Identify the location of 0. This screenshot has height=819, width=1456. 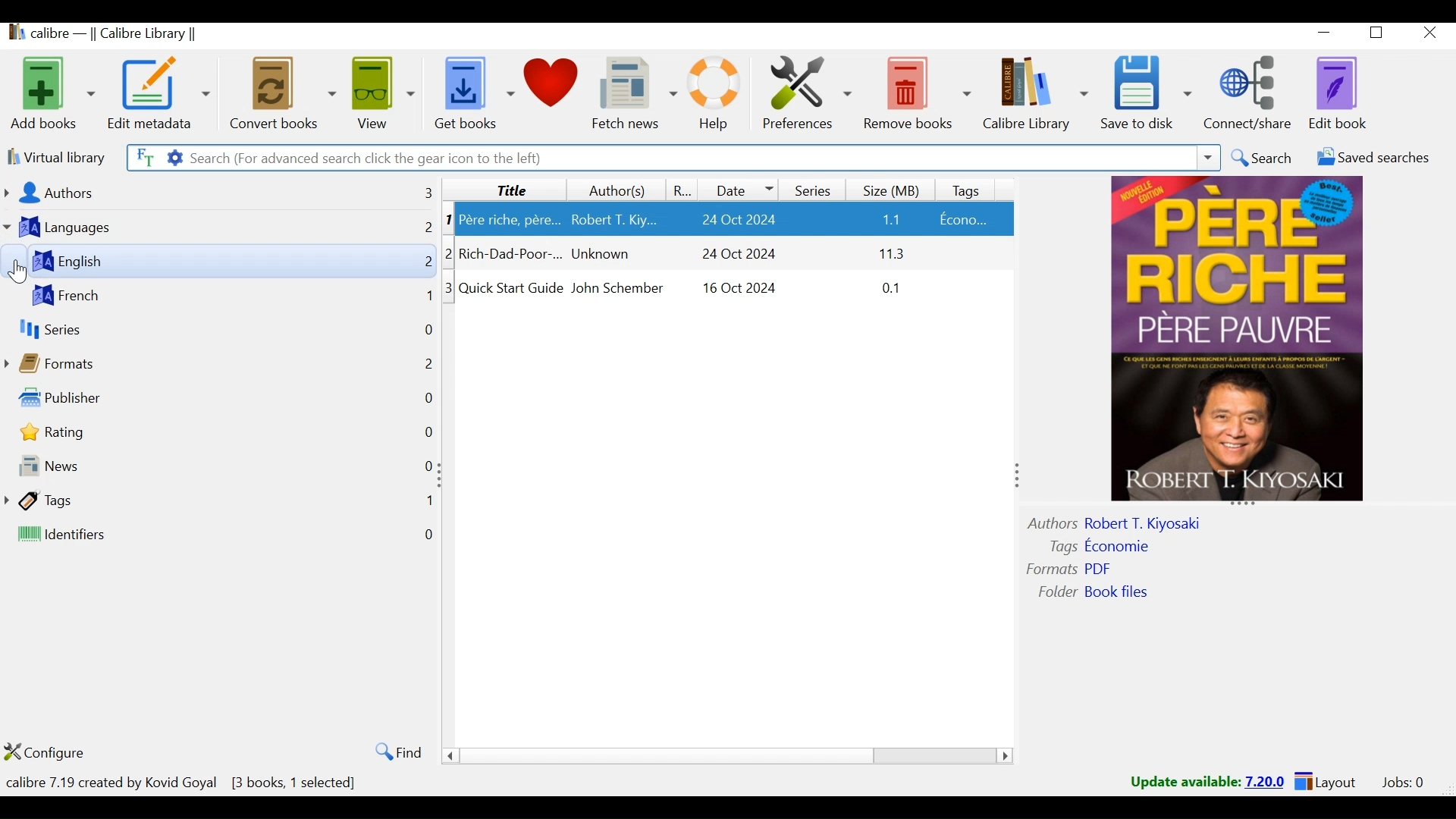
(424, 431).